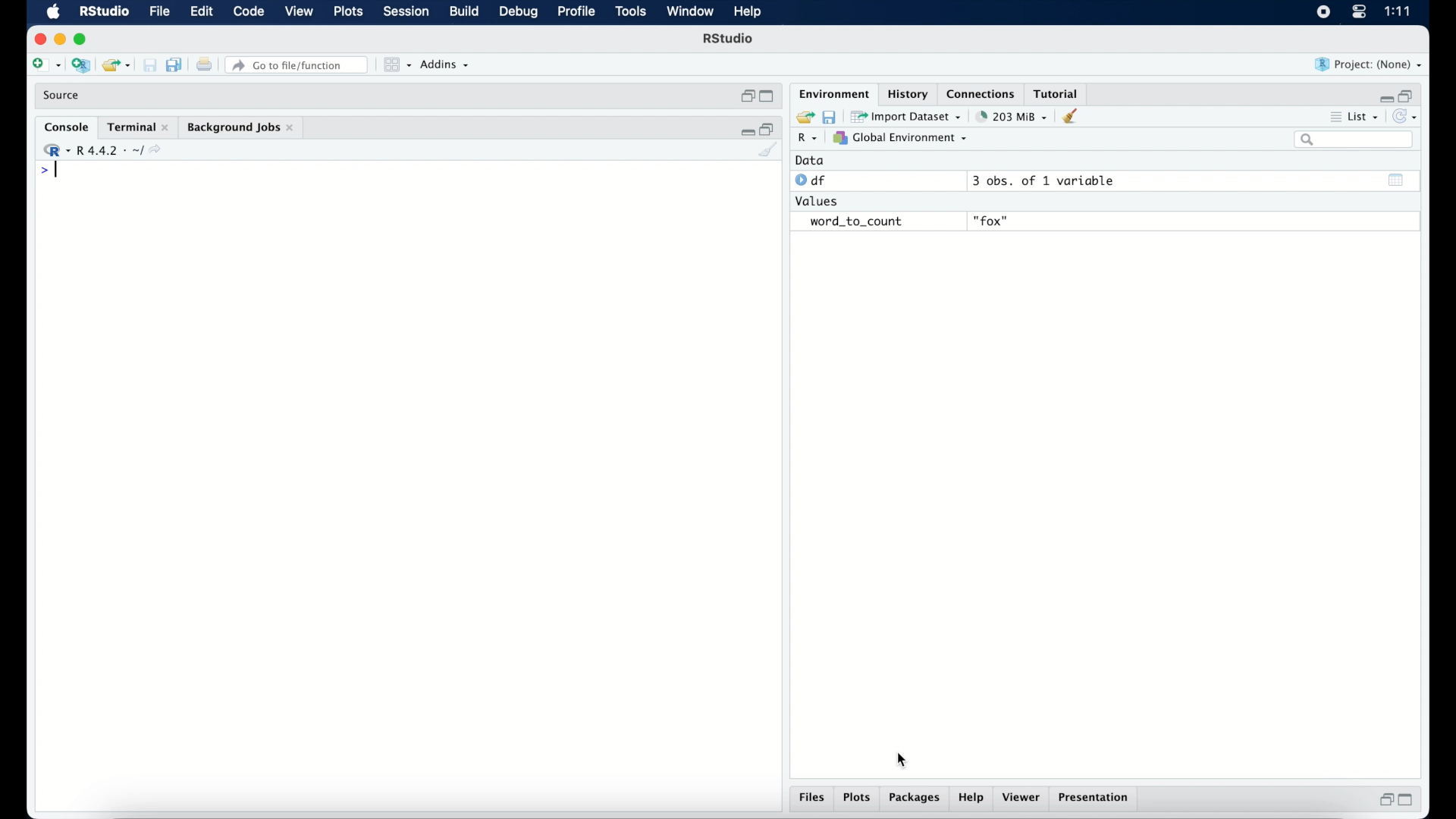 The image size is (1456, 819). What do you see at coordinates (728, 39) in the screenshot?
I see `R studio` at bounding box center [728, 39].